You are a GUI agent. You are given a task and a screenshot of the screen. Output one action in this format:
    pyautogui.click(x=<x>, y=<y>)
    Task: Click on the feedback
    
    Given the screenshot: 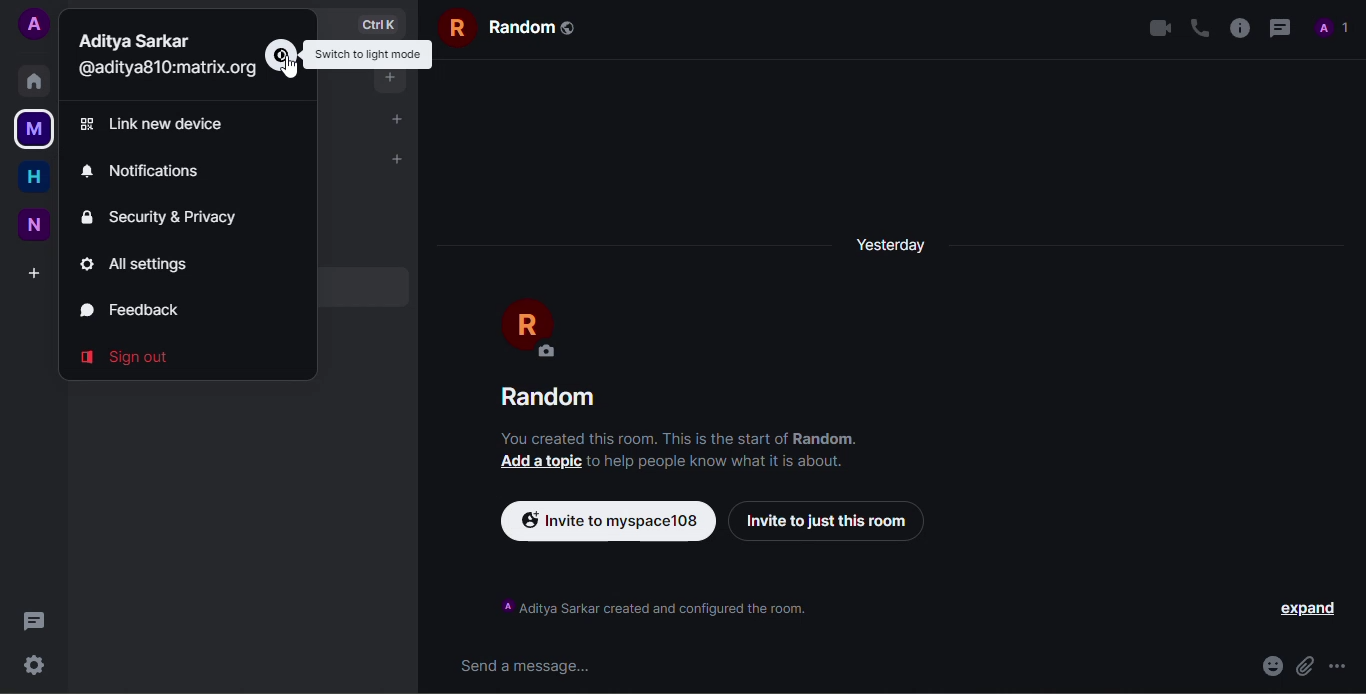 What is the action you would take?
    pyautogui.click(x=135, y=309)
    